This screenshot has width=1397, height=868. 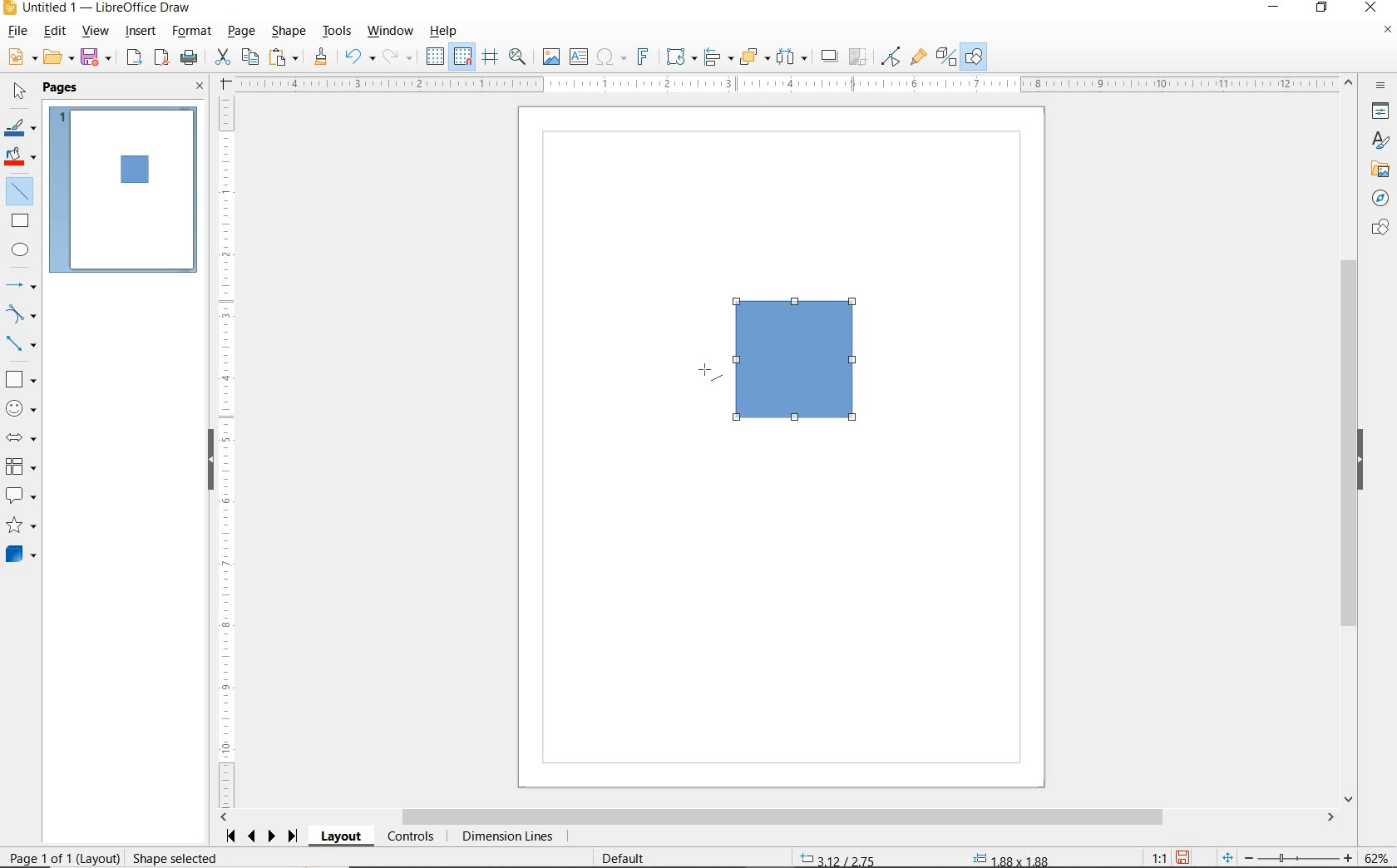 What do you see at coordinates (22, 159) in the screenshot?
I see `FILL COLOR` at bounding box center [22, 159].